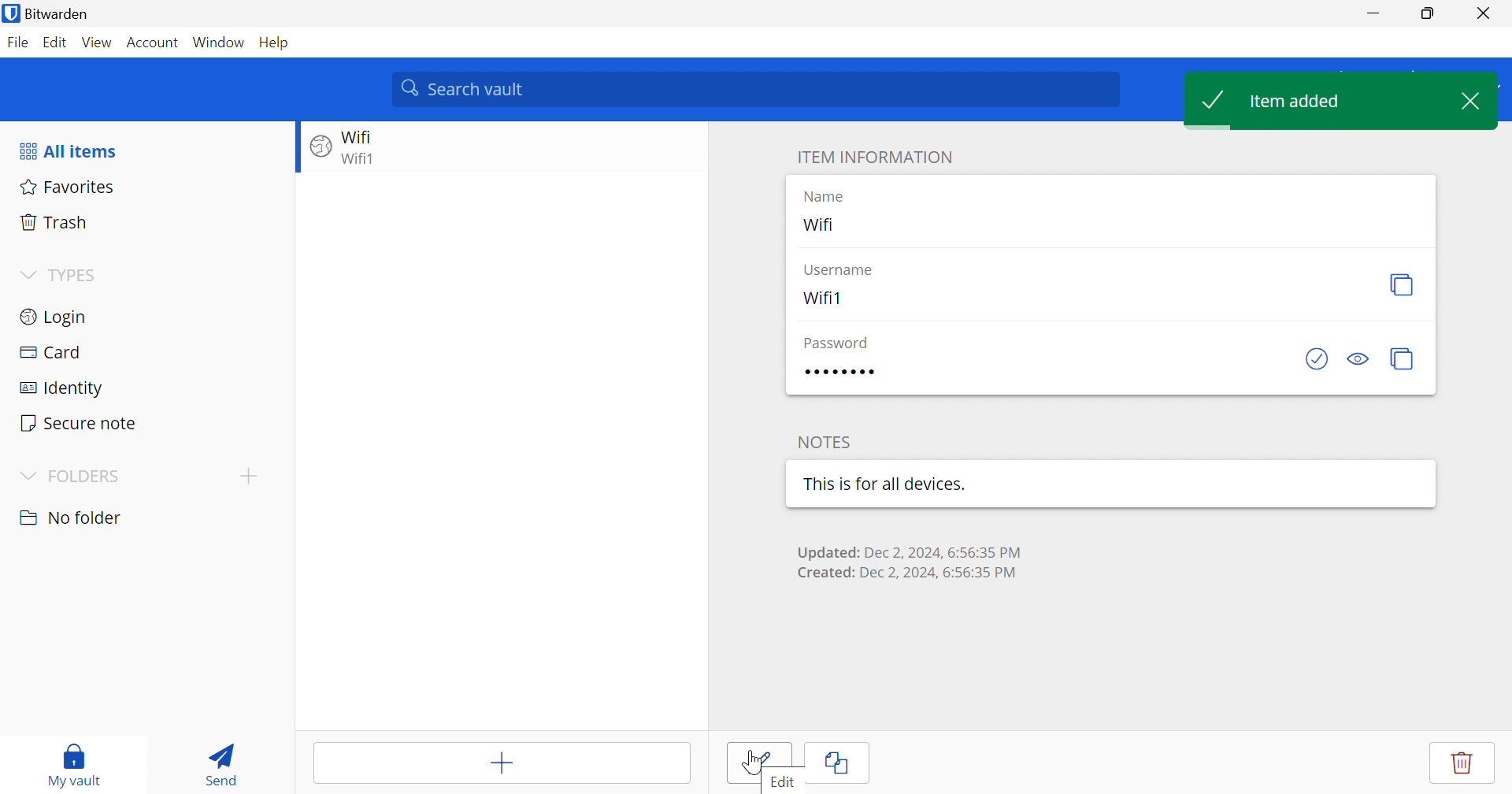 Image resolution: width=1512 pixels, height=794 pixels. Describe the element at coordinates (1487, 13) in the screenshot. I see `Close` at that location.